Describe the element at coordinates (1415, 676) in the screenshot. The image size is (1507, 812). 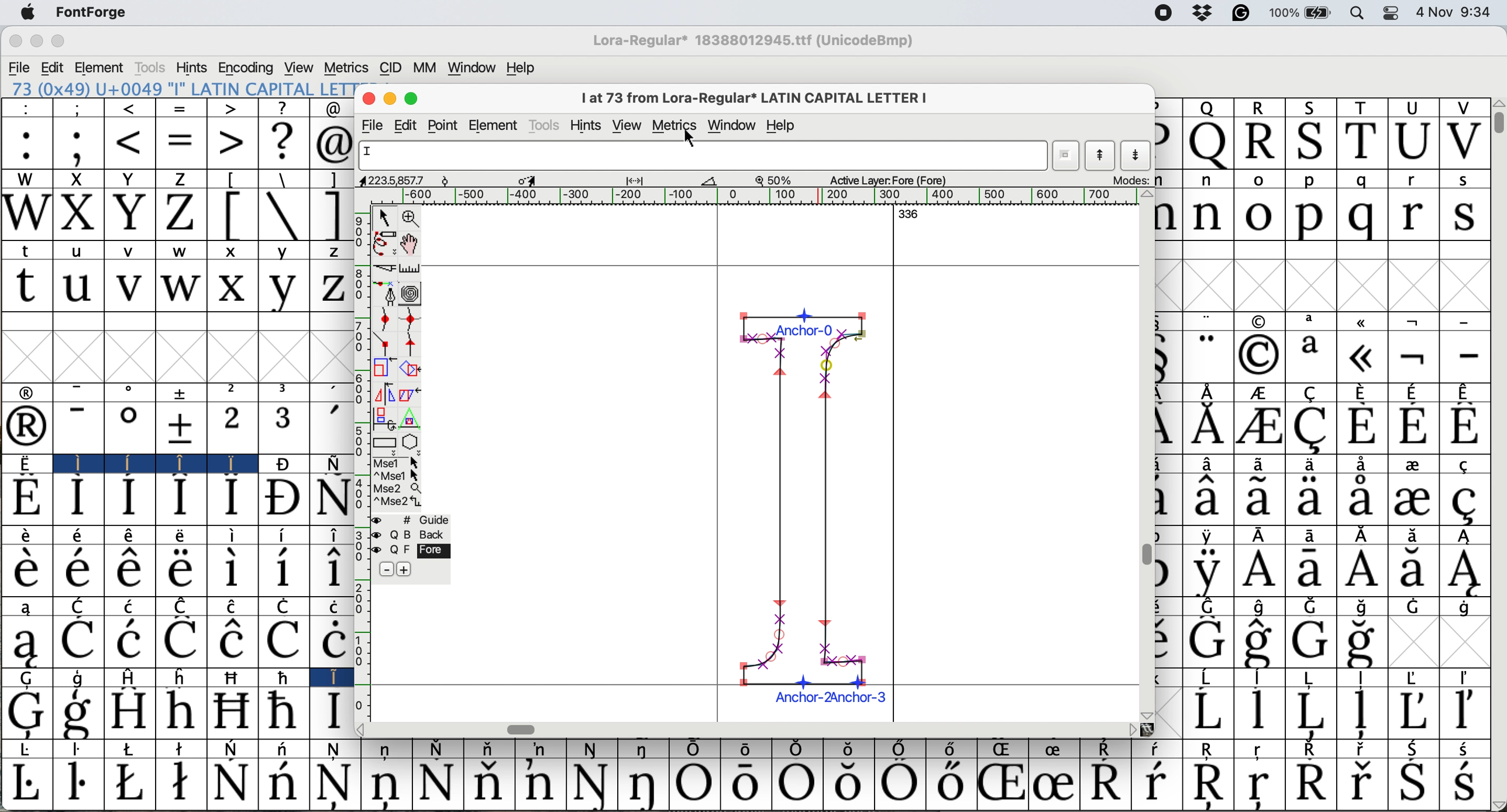
I see `Symbol` at that location.